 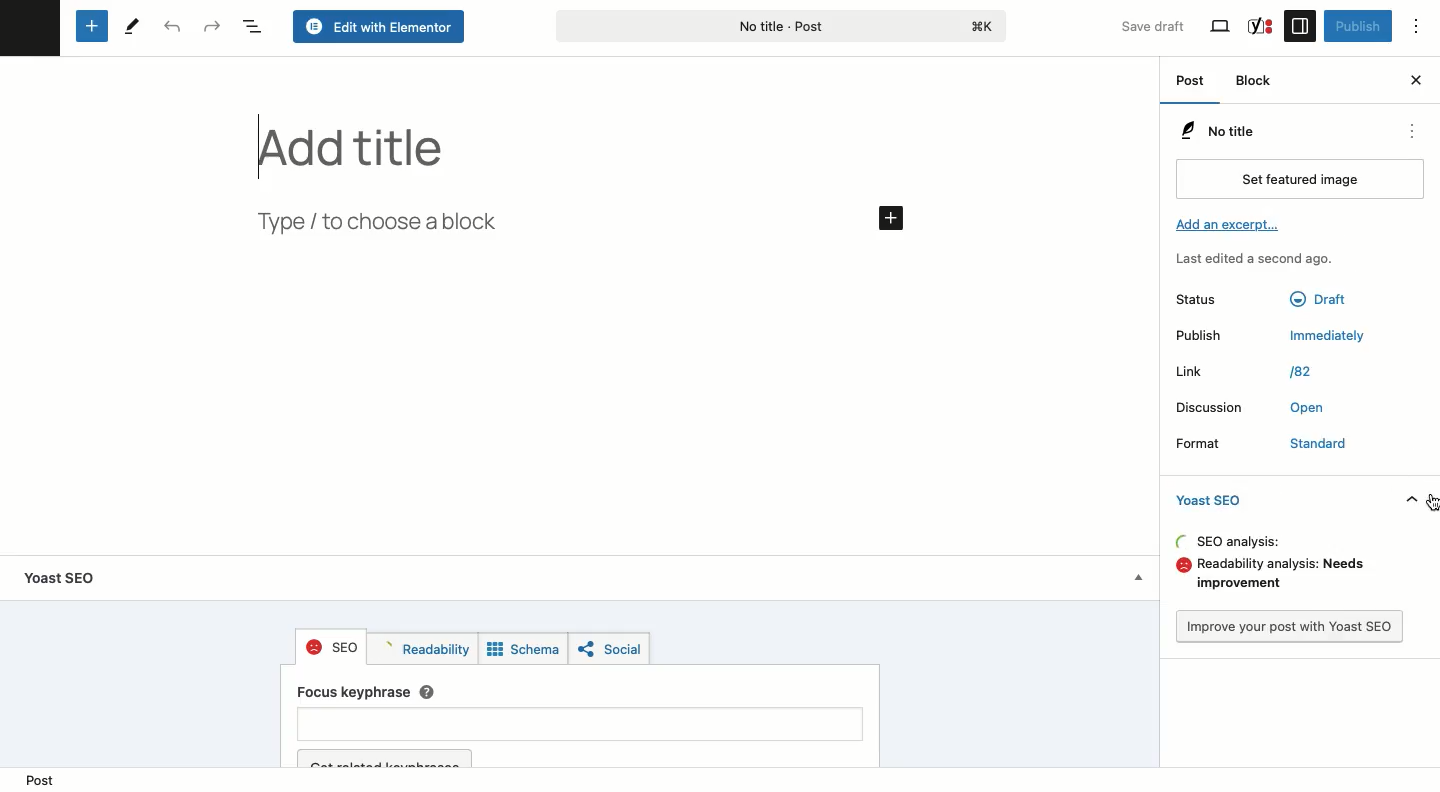 What do you see at coordinates (1408, 132) in the screenshot?
I see `Actions` at bounding box center [1408, 132].